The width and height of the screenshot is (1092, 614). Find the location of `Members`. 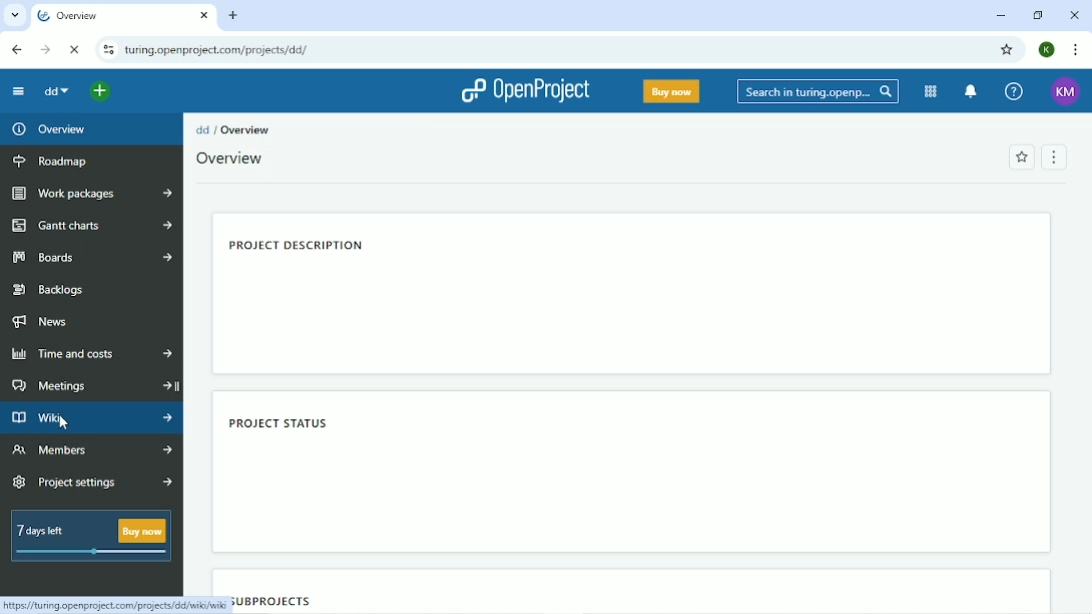

Members is located at coordinates (89, 451).